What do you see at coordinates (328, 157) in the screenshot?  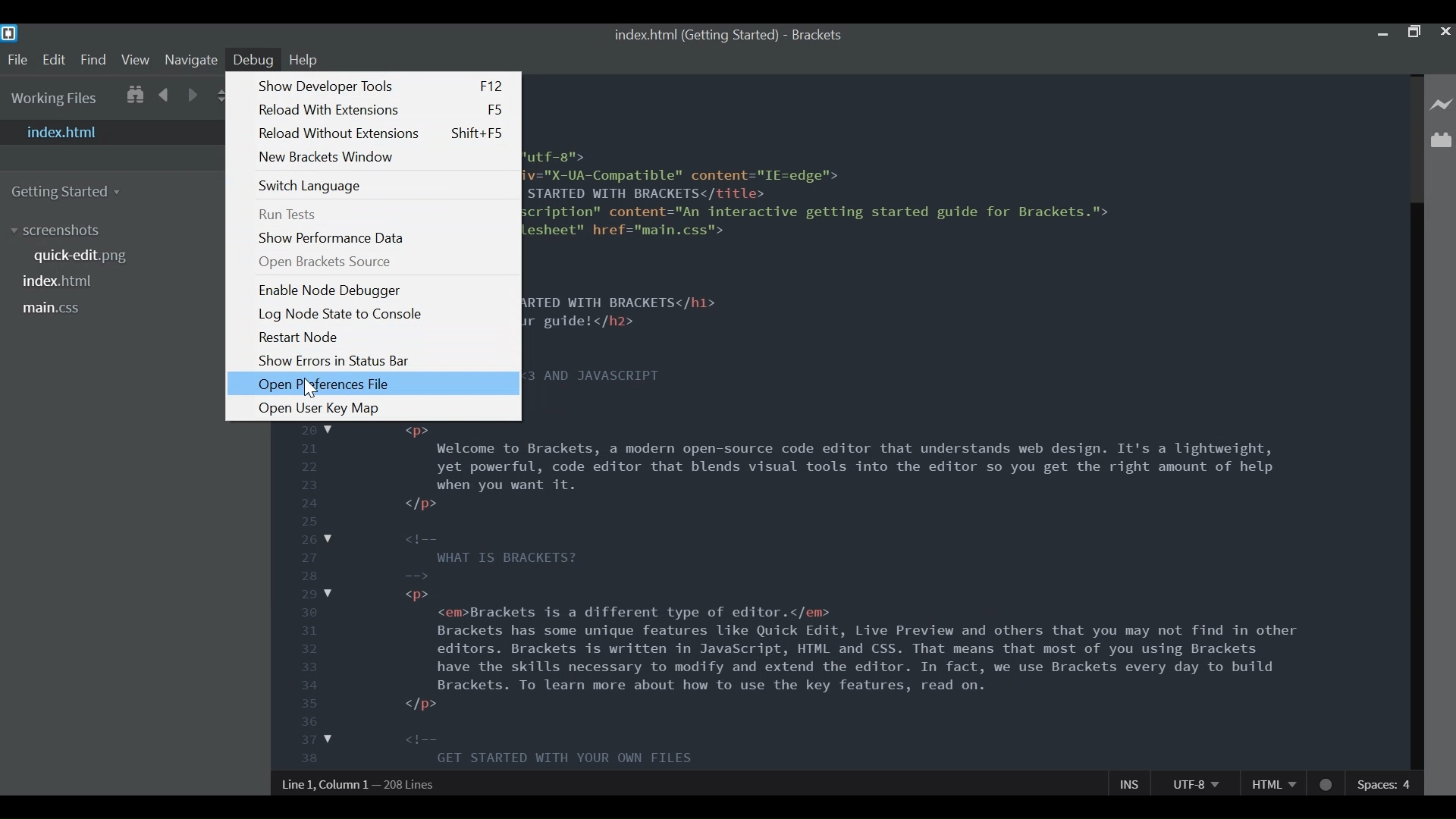 I see `New Brackets Window` at bounding box center [328, 157].